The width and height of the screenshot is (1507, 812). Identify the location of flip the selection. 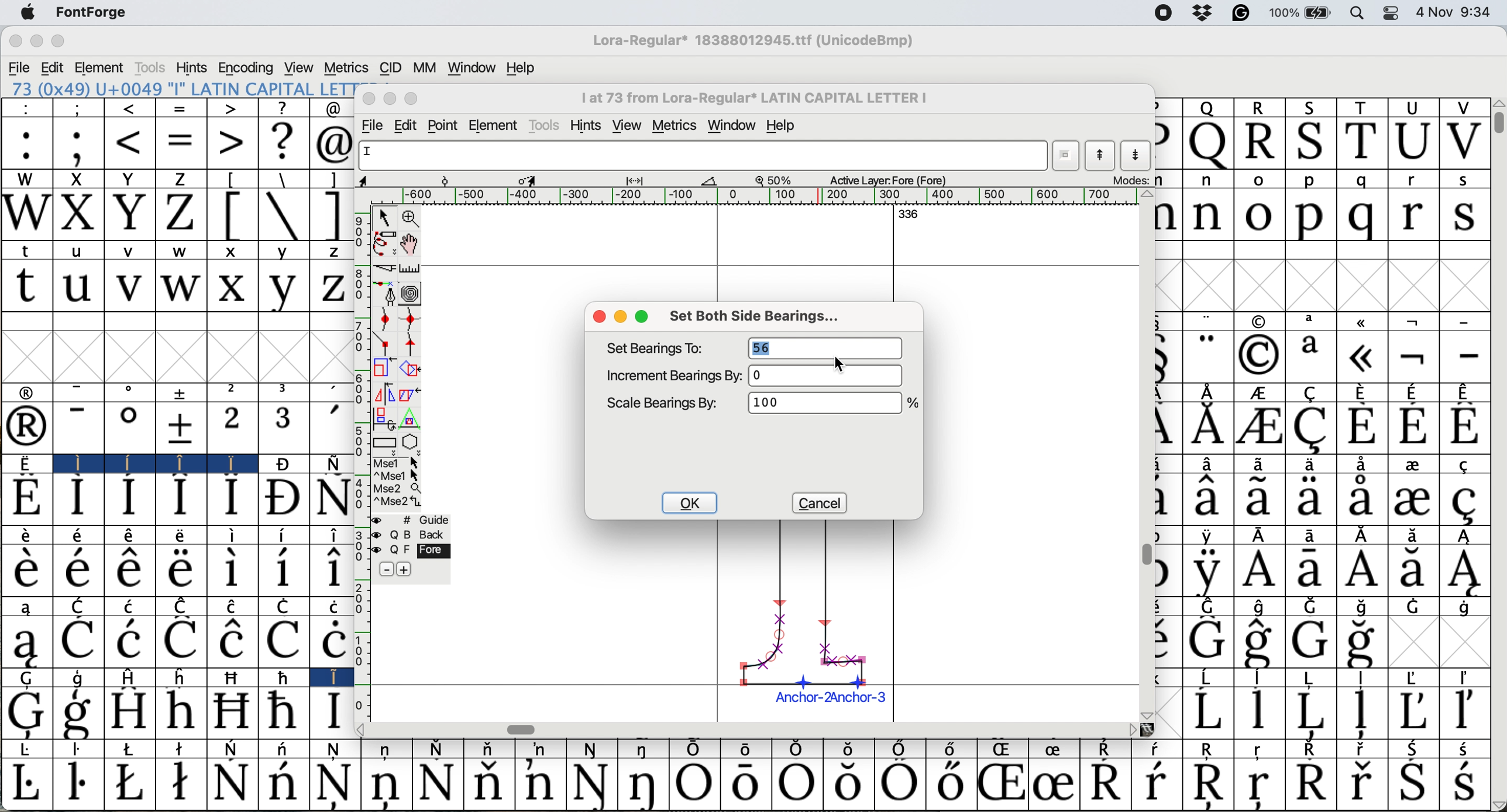
(383, 393).